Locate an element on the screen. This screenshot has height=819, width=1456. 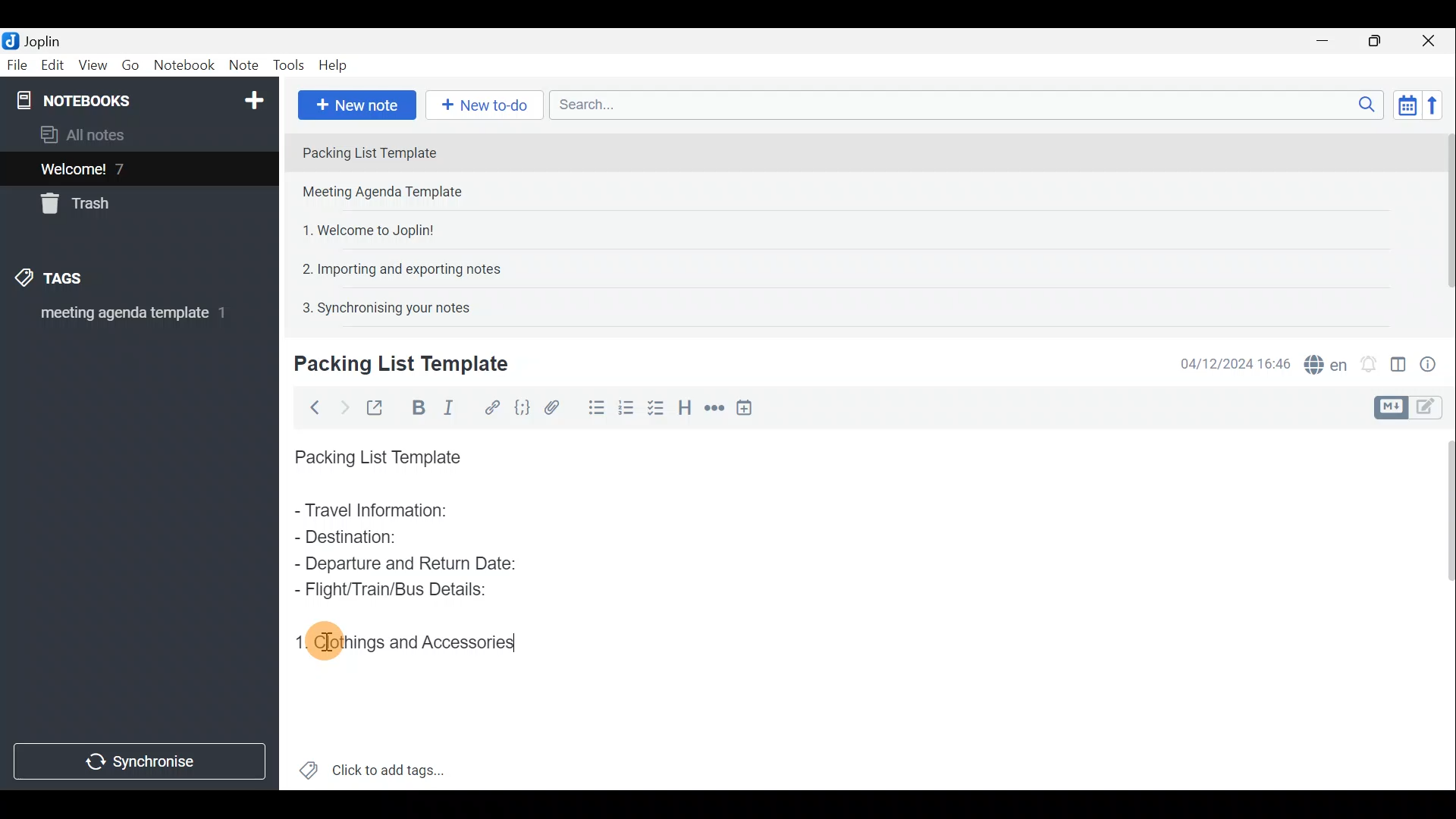
Forward is located at coordinates (341, 406).